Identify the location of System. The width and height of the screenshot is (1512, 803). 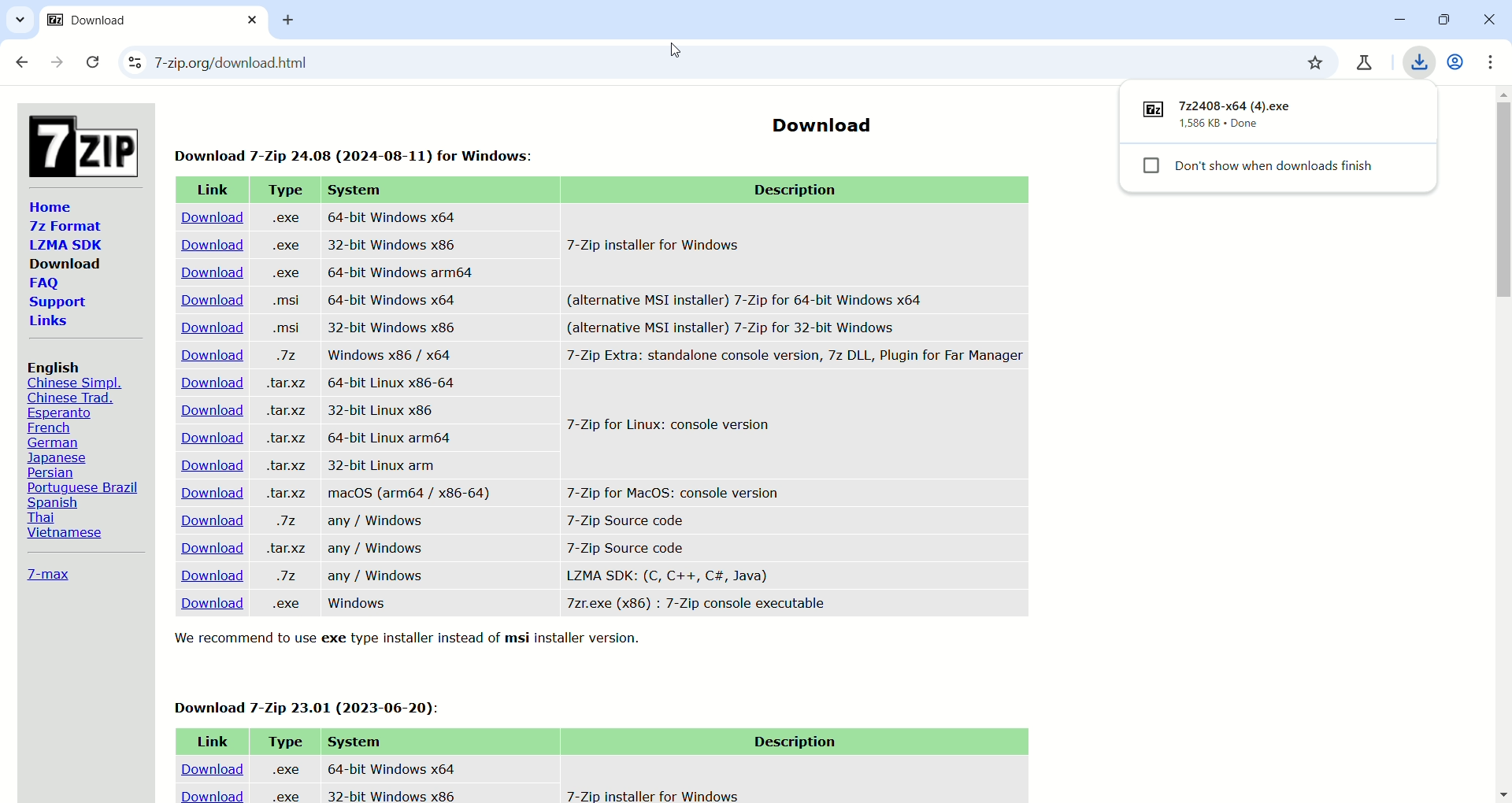
(354, 741).